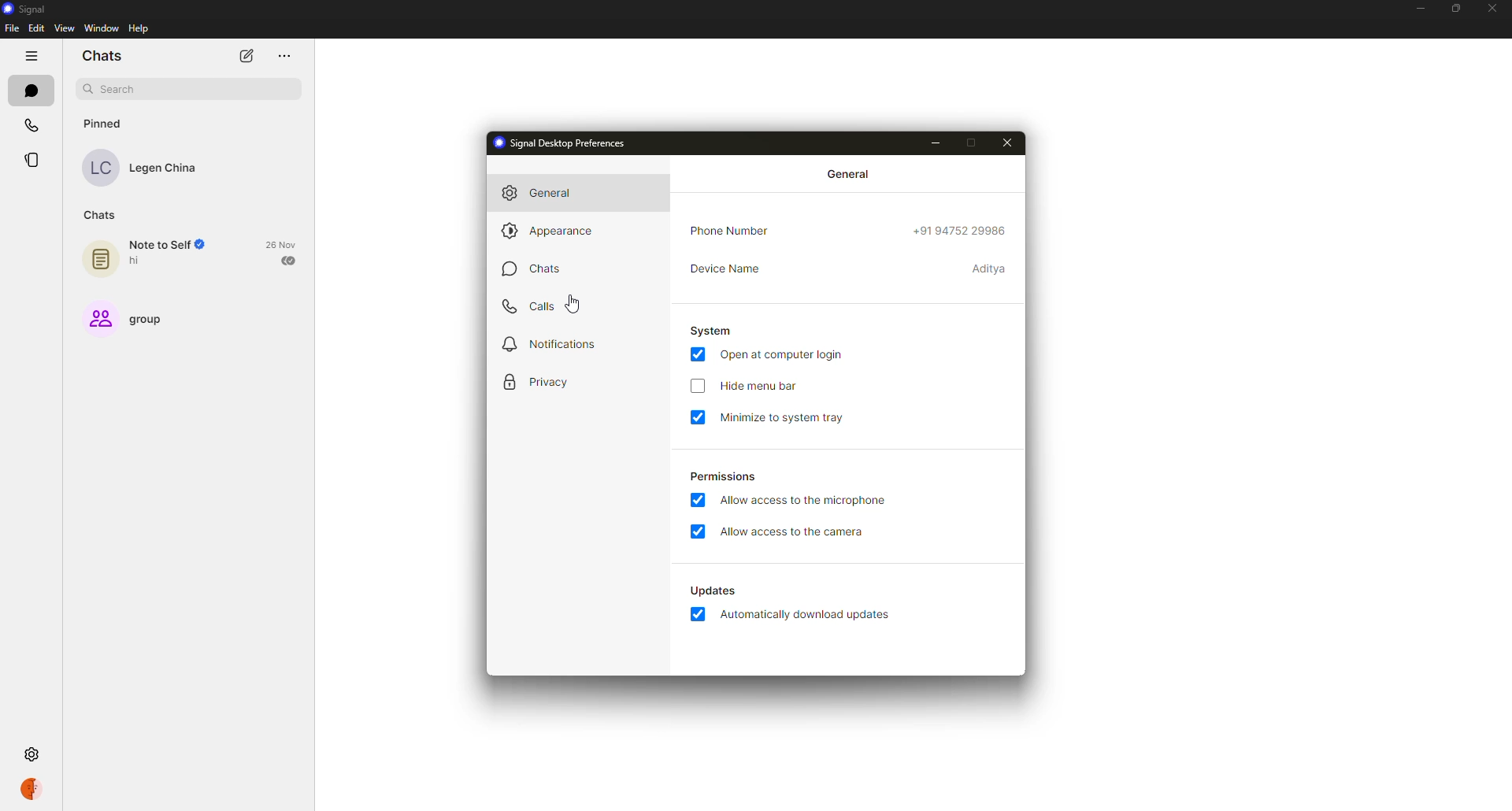  I want to click on calls, so click(529, 306).